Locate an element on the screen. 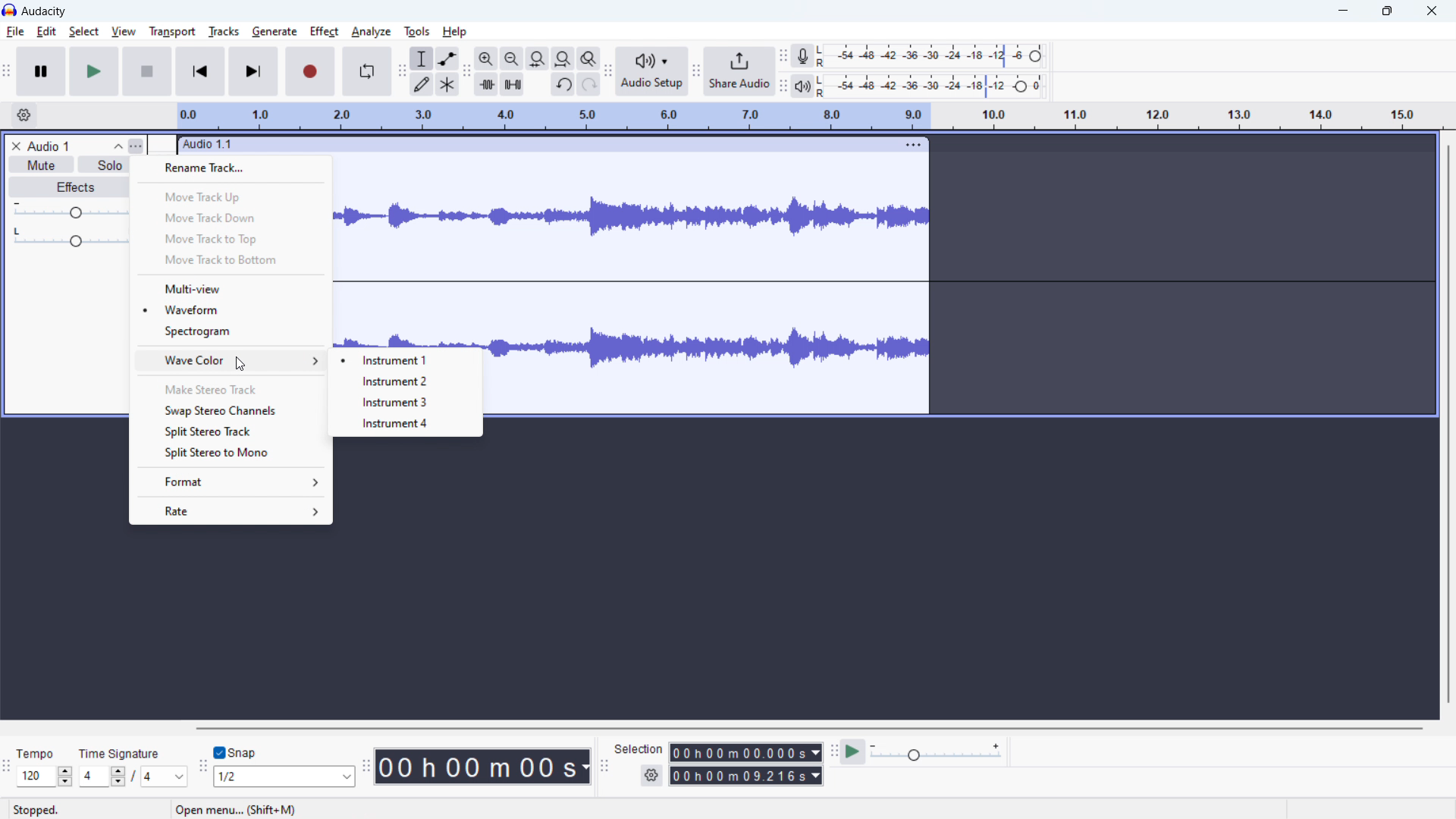  trim audio outside selection is located at coordinates (486, 83).